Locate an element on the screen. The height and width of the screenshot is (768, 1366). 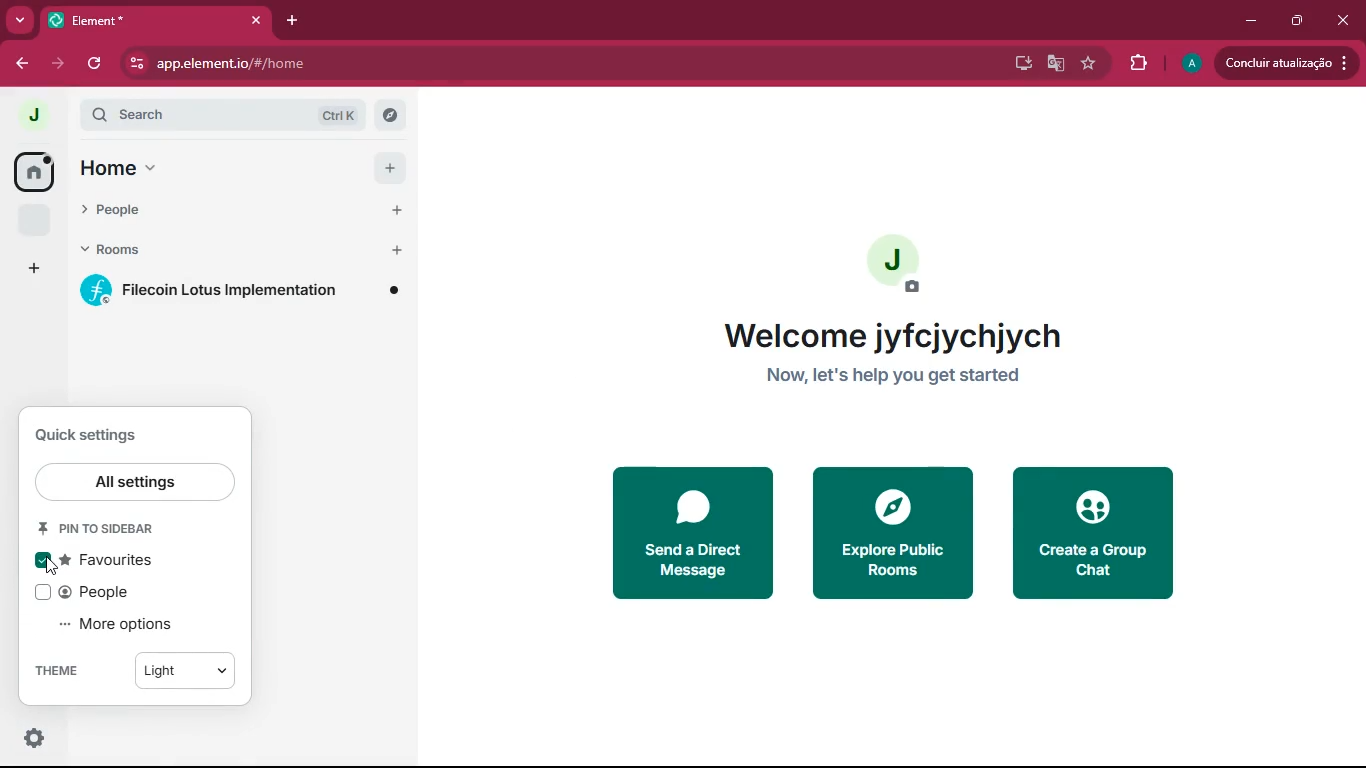
Add room is located at coordinates (396, 255).